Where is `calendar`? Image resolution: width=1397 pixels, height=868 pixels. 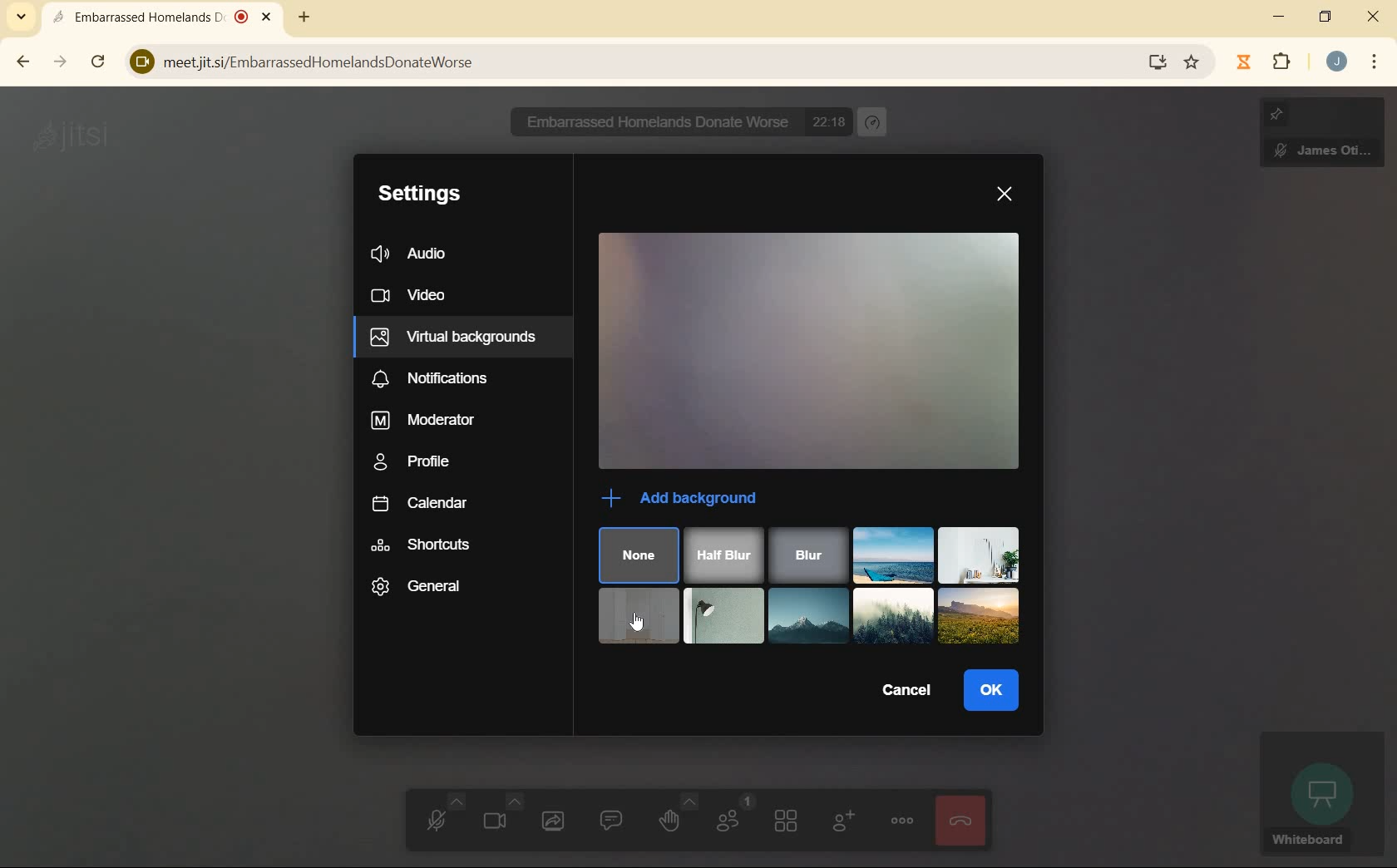
calendar is located at coordinates (417, 500).